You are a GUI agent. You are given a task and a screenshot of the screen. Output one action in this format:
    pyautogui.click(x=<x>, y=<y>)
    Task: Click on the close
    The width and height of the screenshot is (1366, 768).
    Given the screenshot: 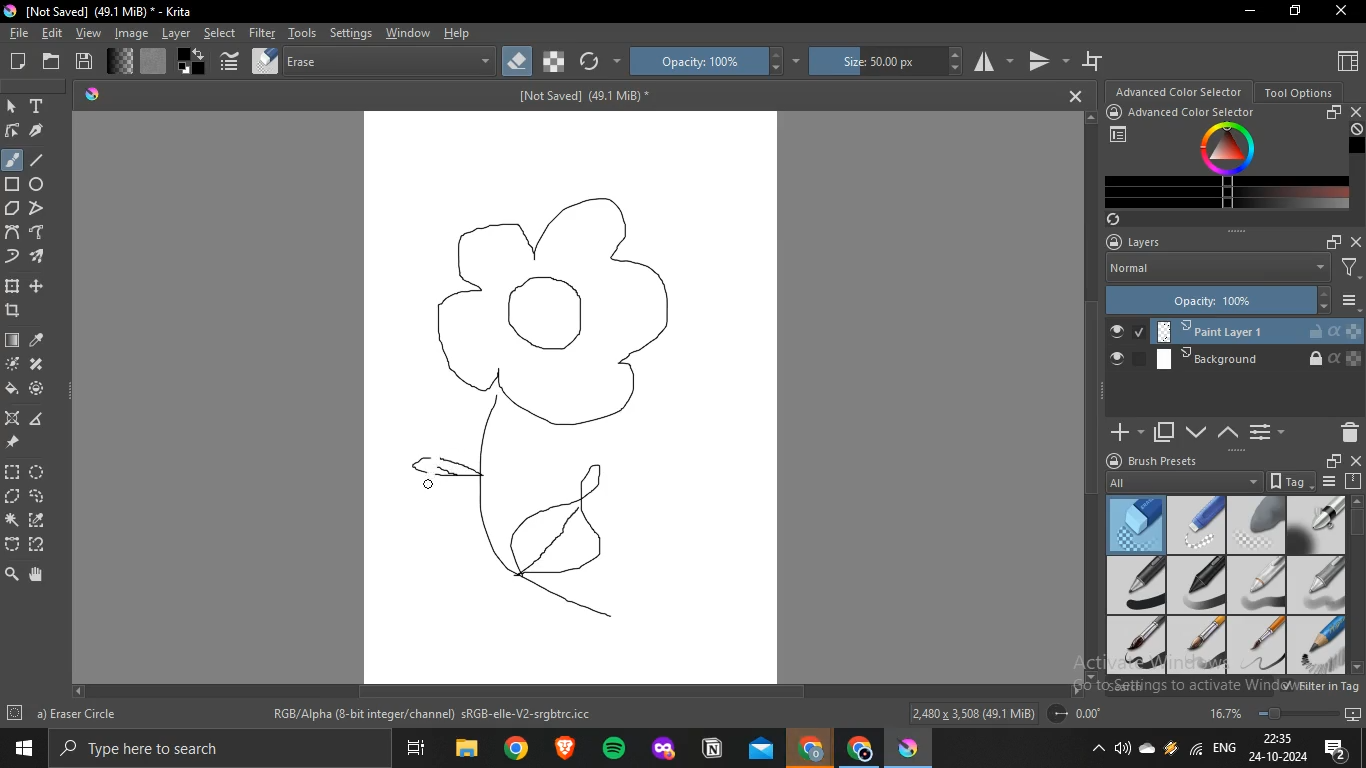 What is the action you would take?
    pyautogui.click(x=1356, y=240)
    